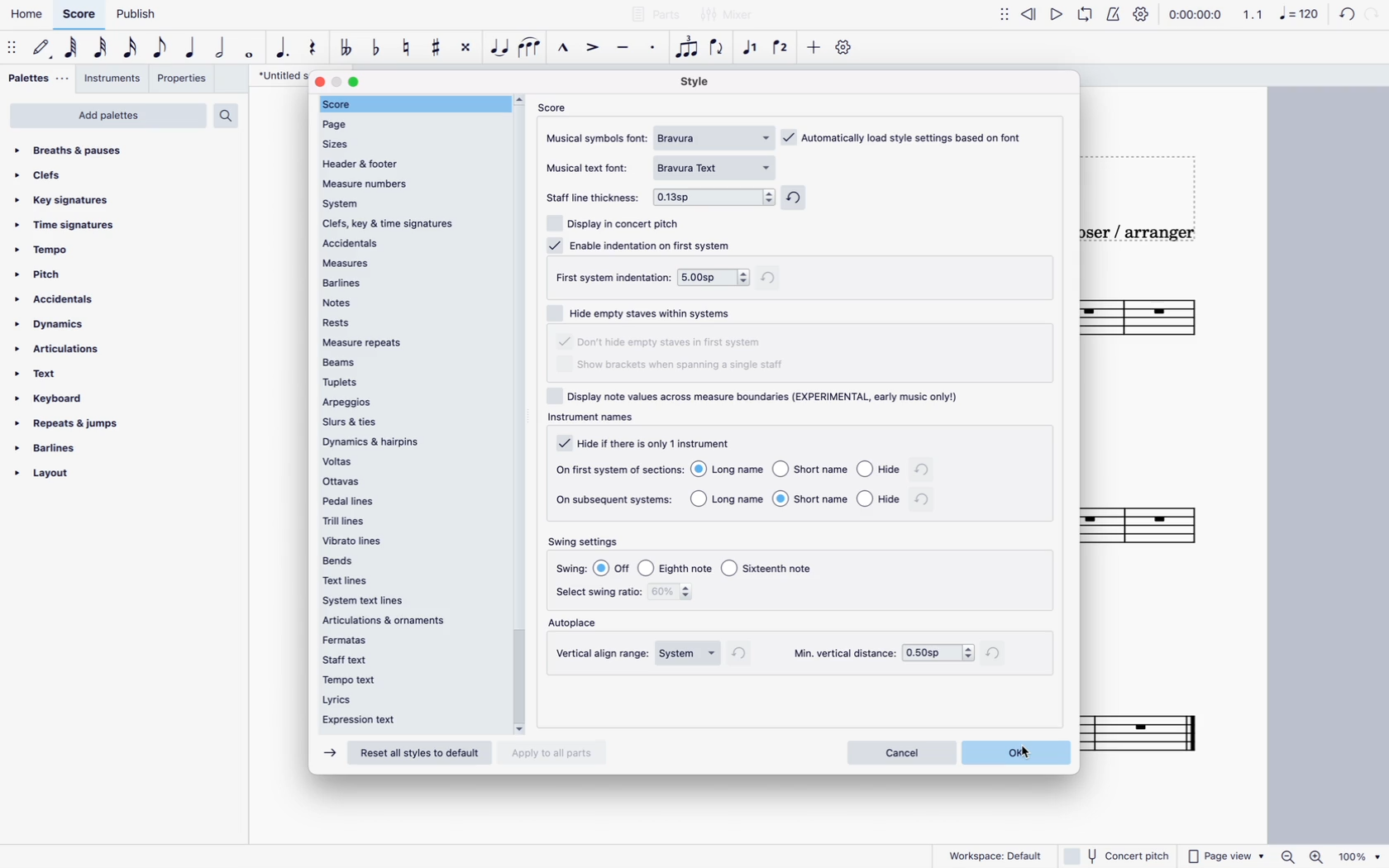  Describe the element at coordinates (674, 594) in the screenshot. I see `swing ratio` at that location.